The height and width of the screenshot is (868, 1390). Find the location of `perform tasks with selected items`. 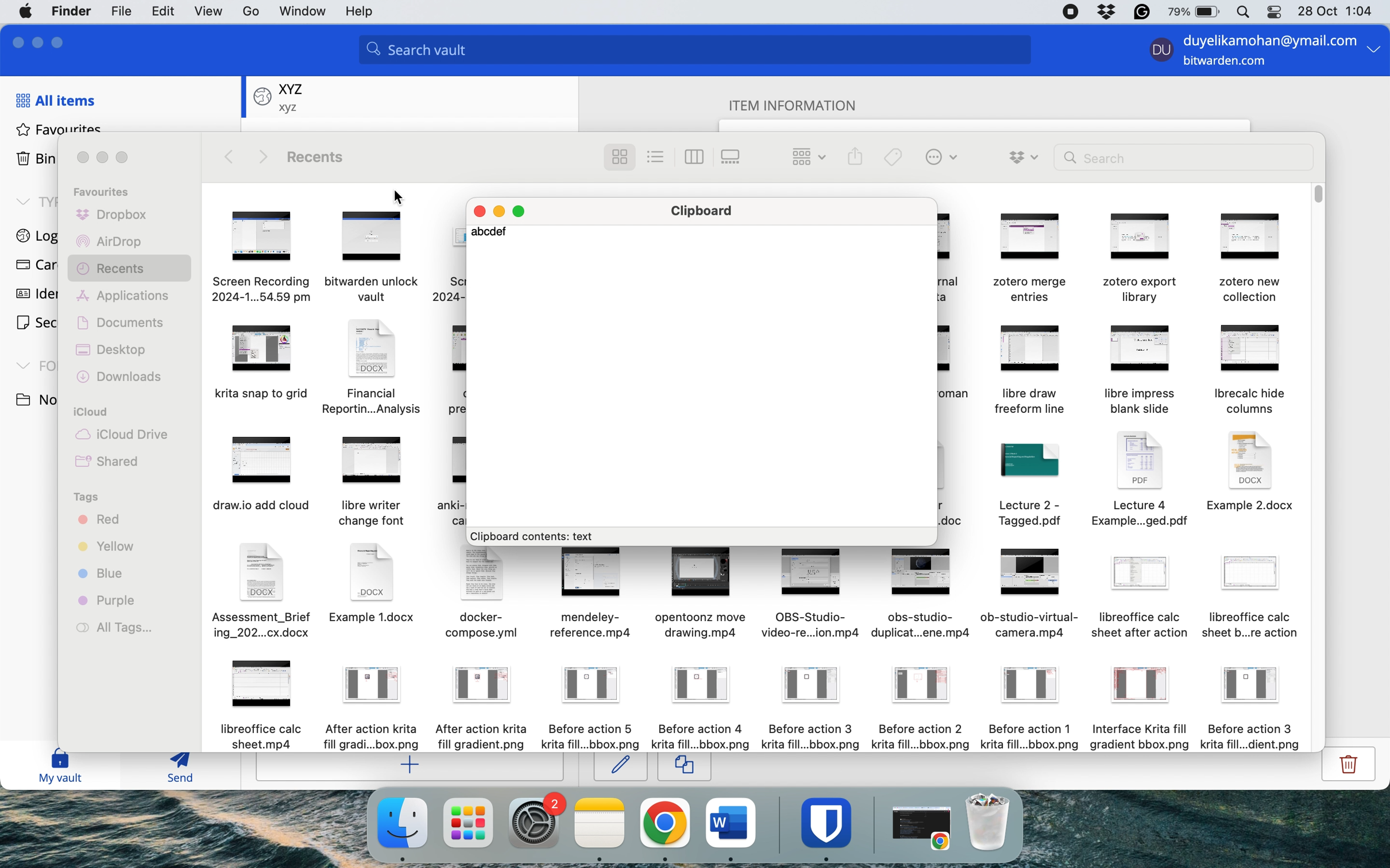

perform tasks with selected items is located at coordinates (941, 158).